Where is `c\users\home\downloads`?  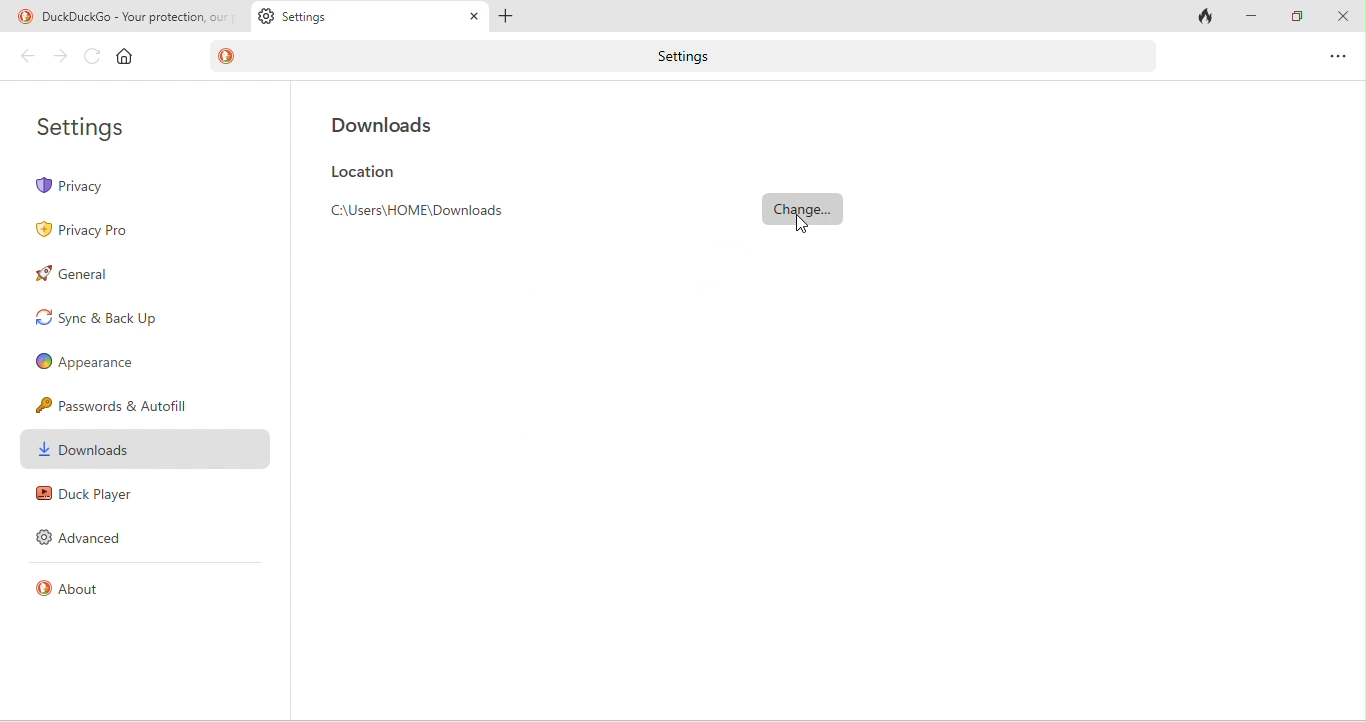 c\users\home\downloads is located at coordinates (431, 213).